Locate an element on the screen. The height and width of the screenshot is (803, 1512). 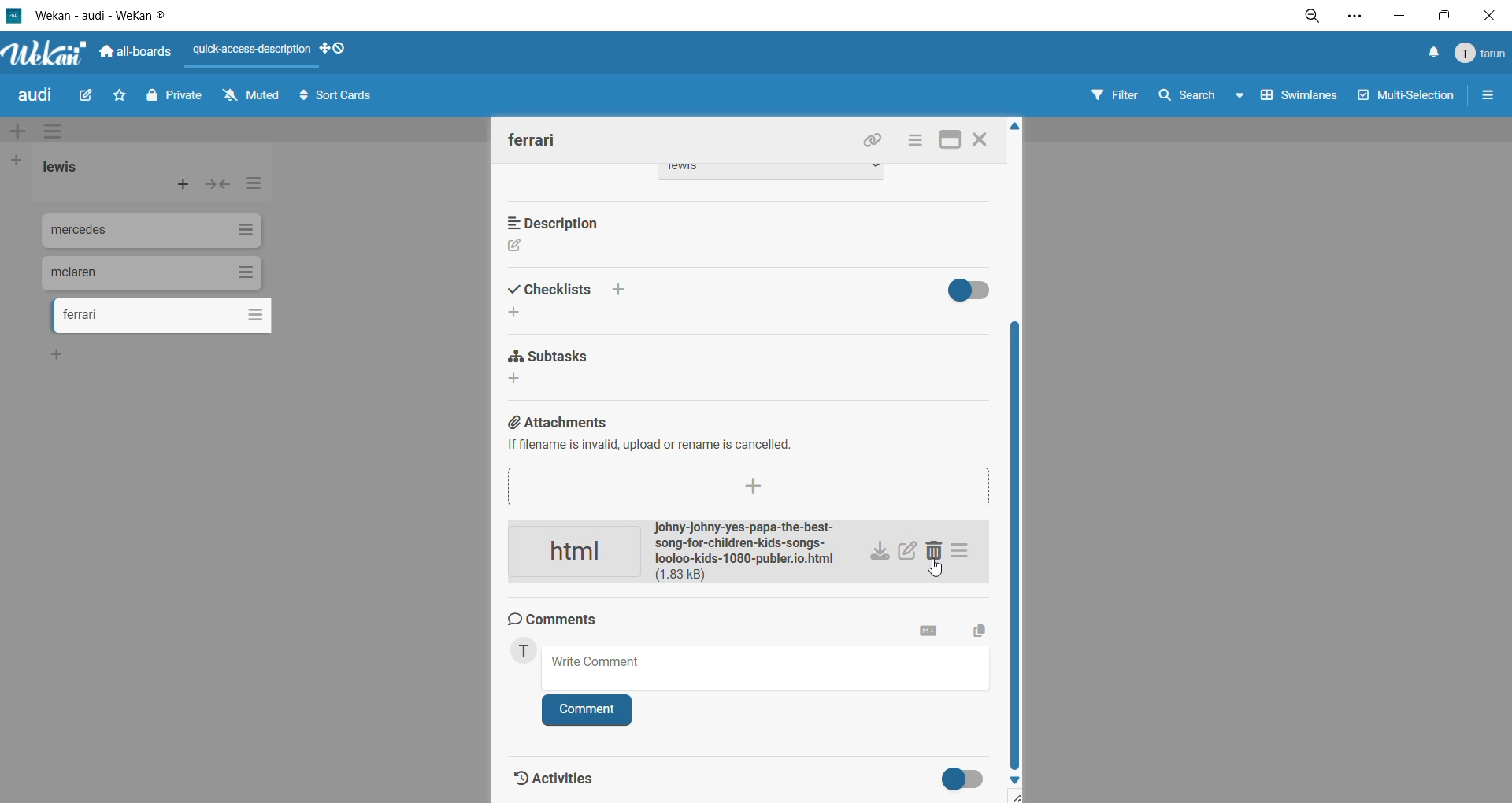
maximize is located at coordinates (1440, 18).